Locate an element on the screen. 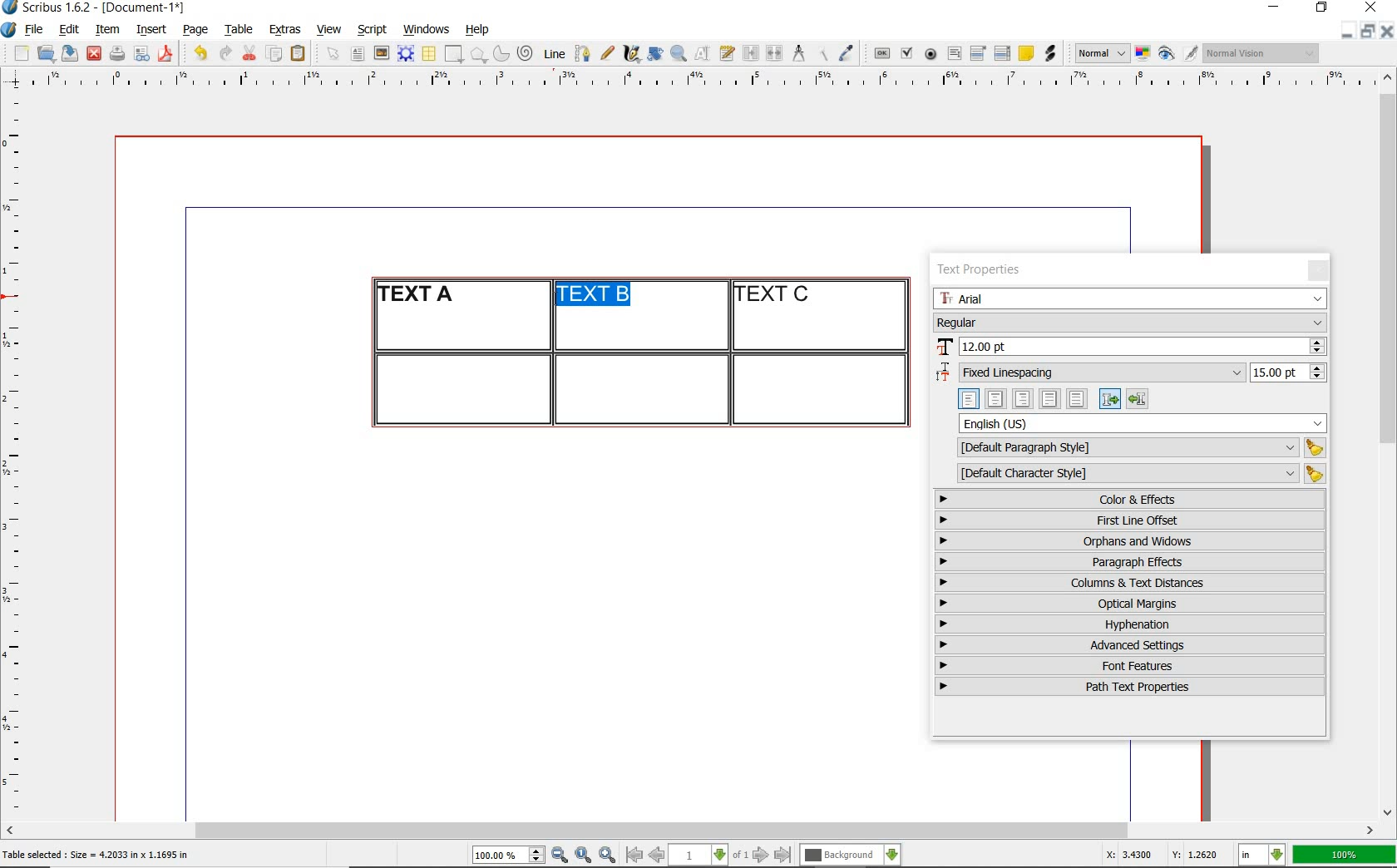  arc is located at coordinates (501, 53).